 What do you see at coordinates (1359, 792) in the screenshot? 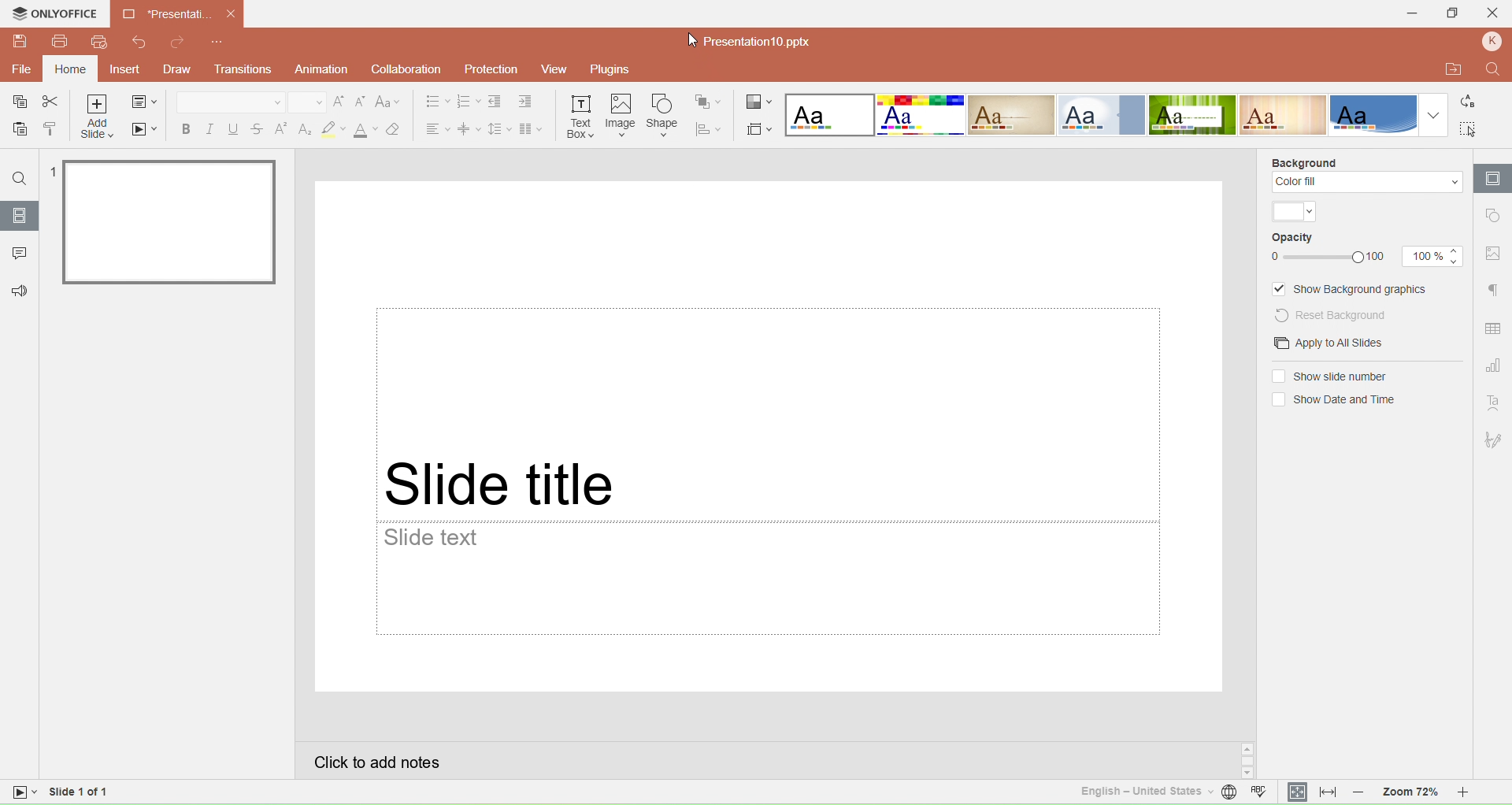
I see `Zoom out` at bounding box center [1359, 792].